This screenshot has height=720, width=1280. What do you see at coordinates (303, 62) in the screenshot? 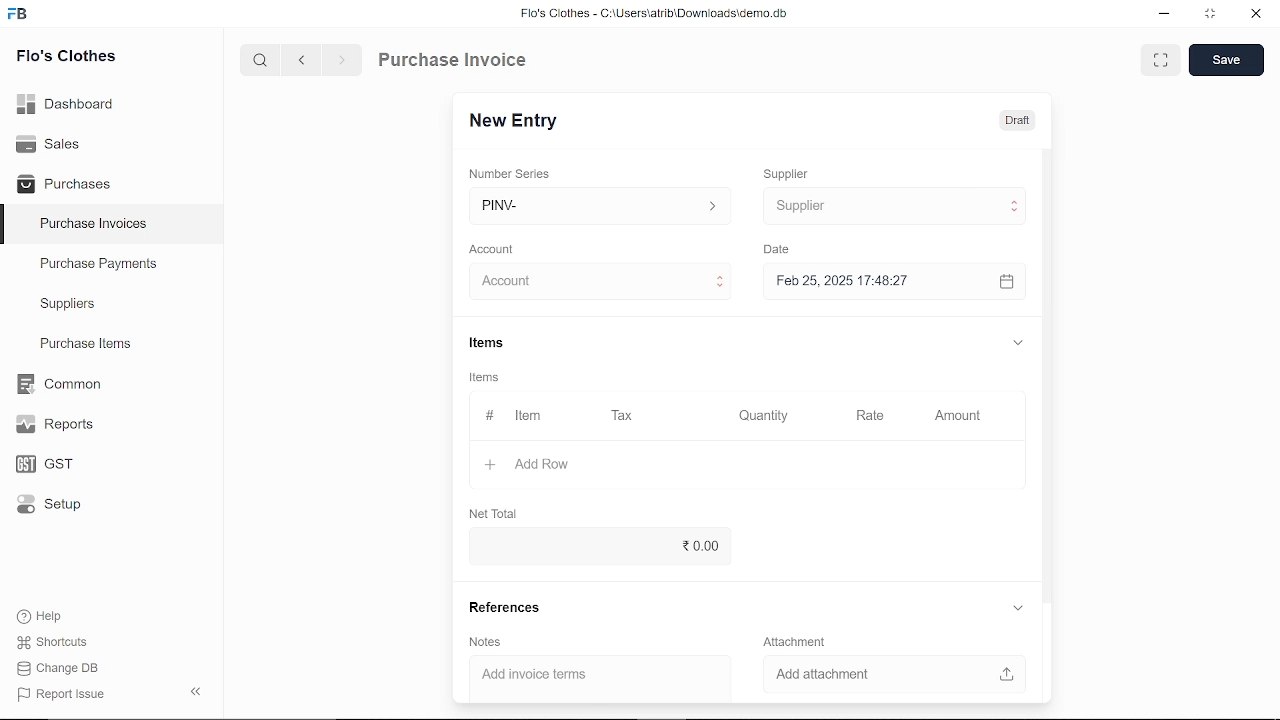
I see `previous` at bounding box center [303, 62].